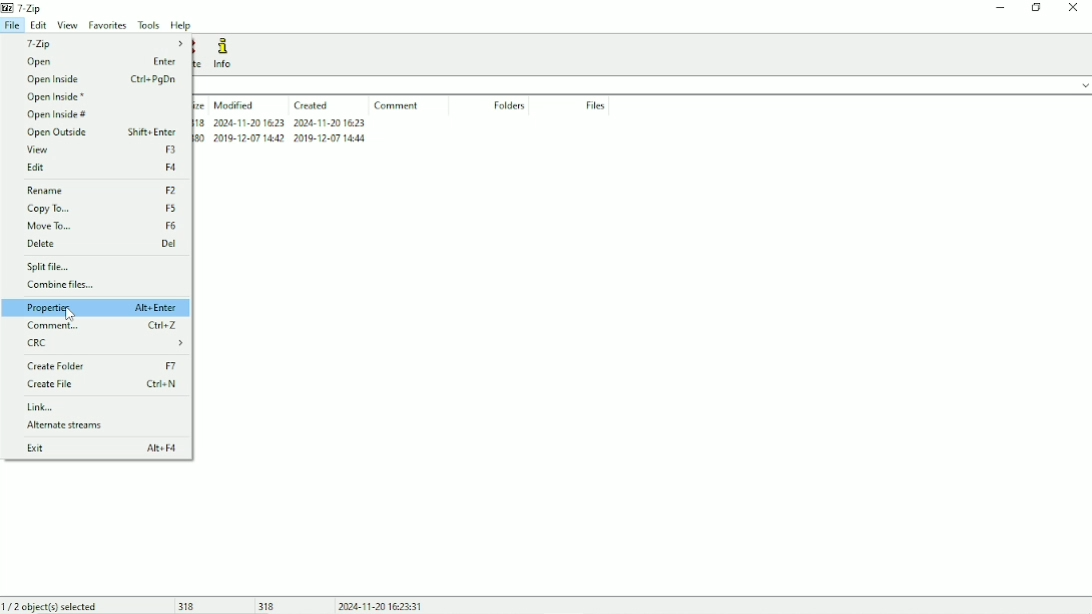 This screenshot has height=614, width=1092. Describe the element at coordinates (38, 26) in the screenshot. I see `Edit` at that location.